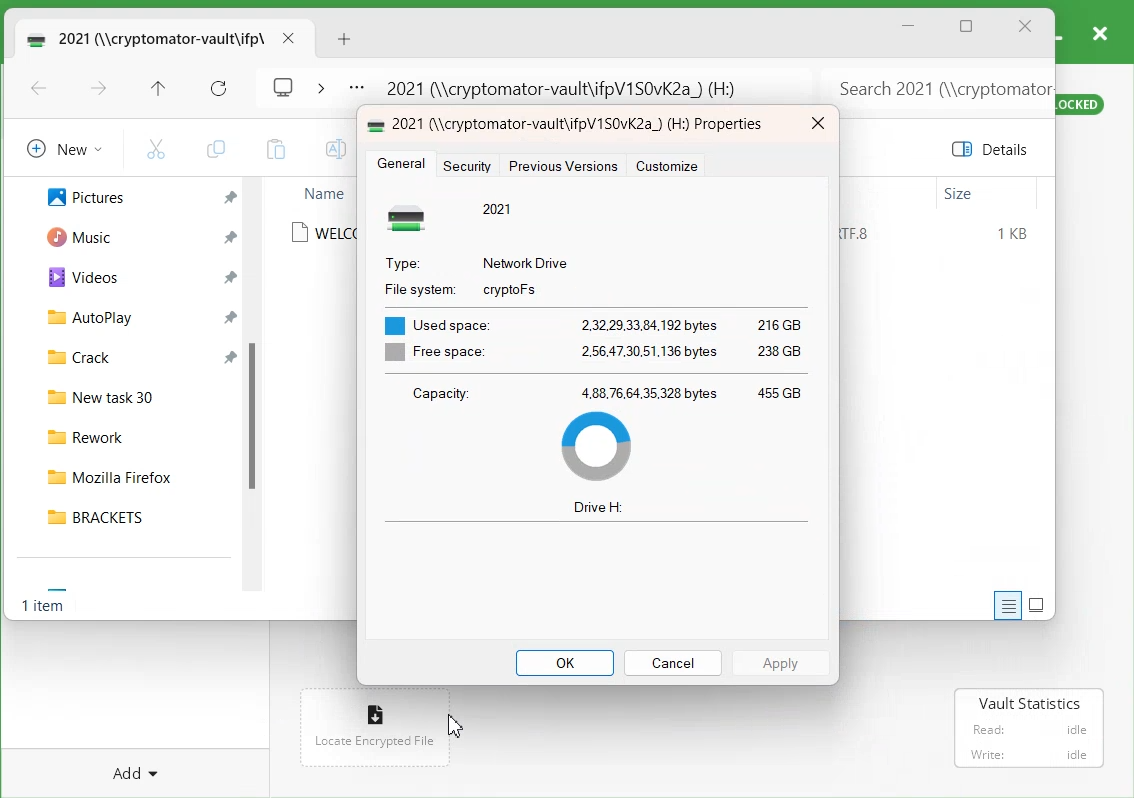 The image size is (1134, 798). I want to click on Rename, so click(333, 149).